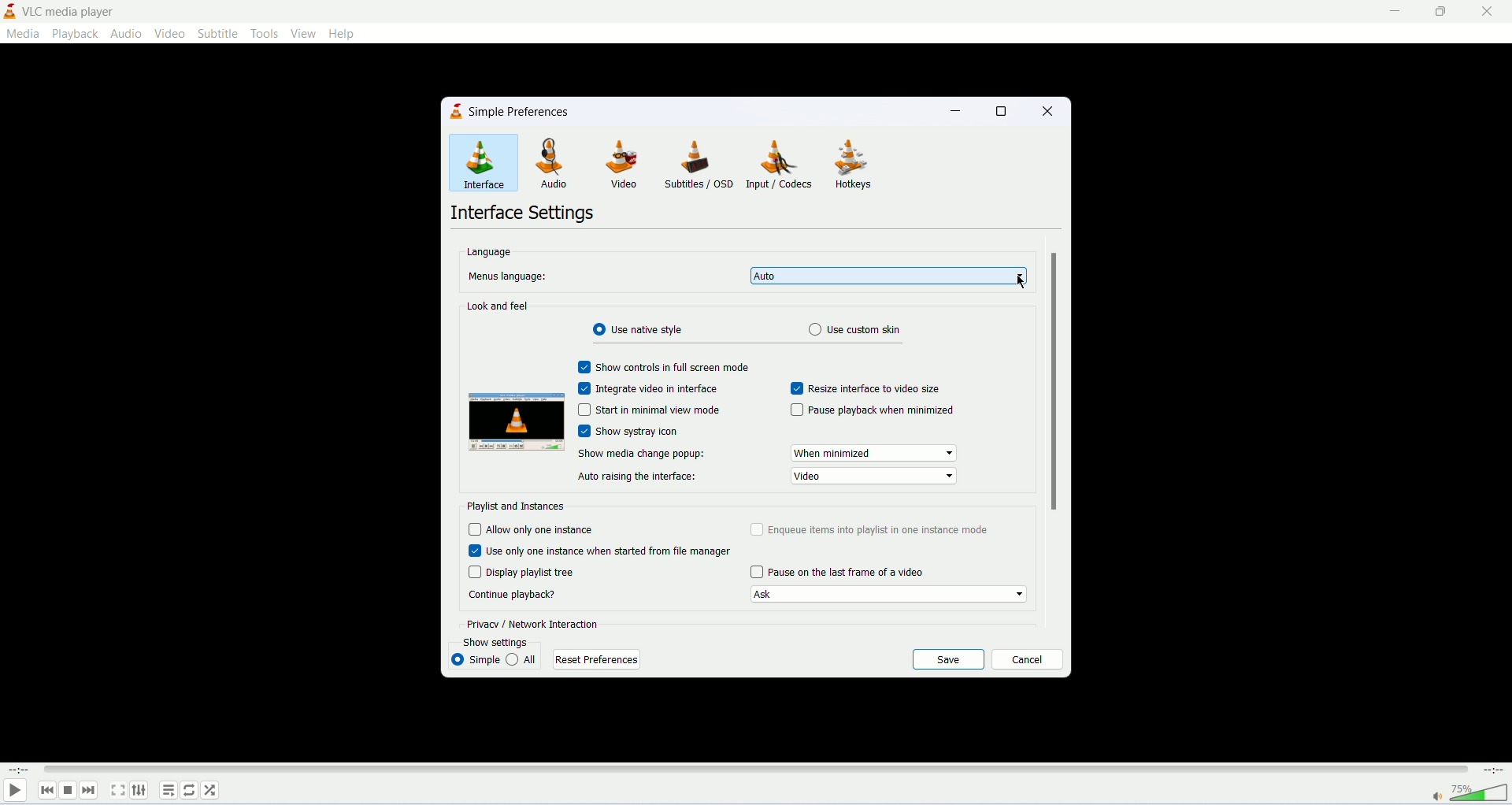 The image size is (1512, 805). What do you see at coordinates (595, 659) in the screenshot?
I see `reset preferences` at bounding box center [595, 659].